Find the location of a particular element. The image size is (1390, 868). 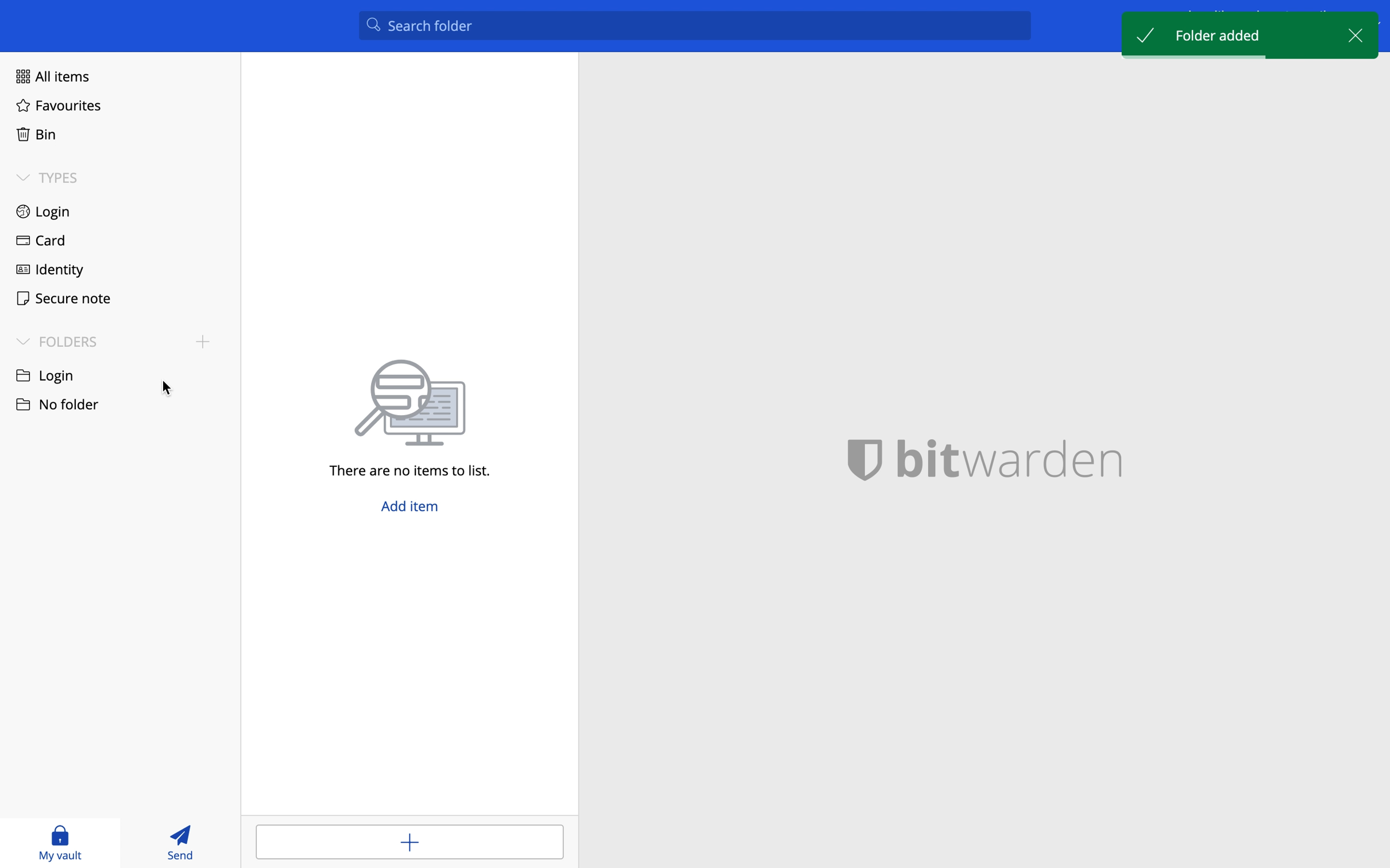

card is located at coordinates (38, 242).